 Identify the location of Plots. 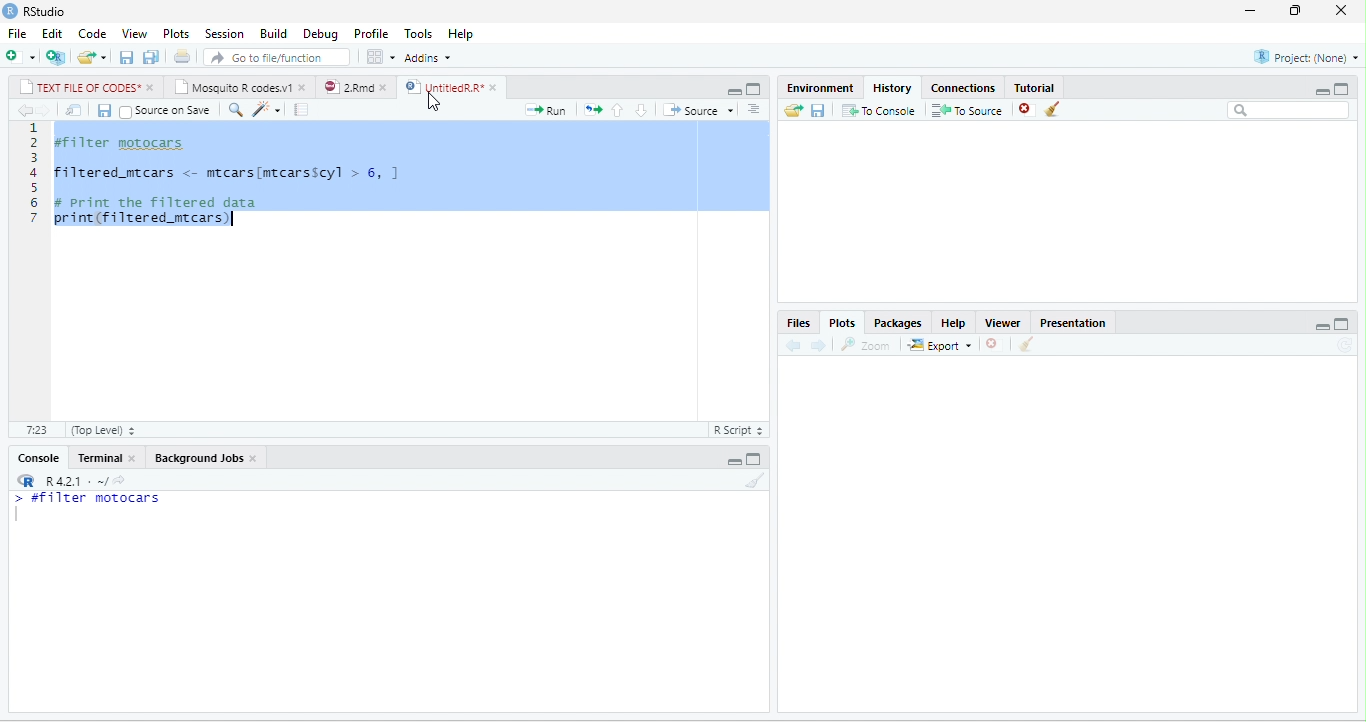
(176, 34).